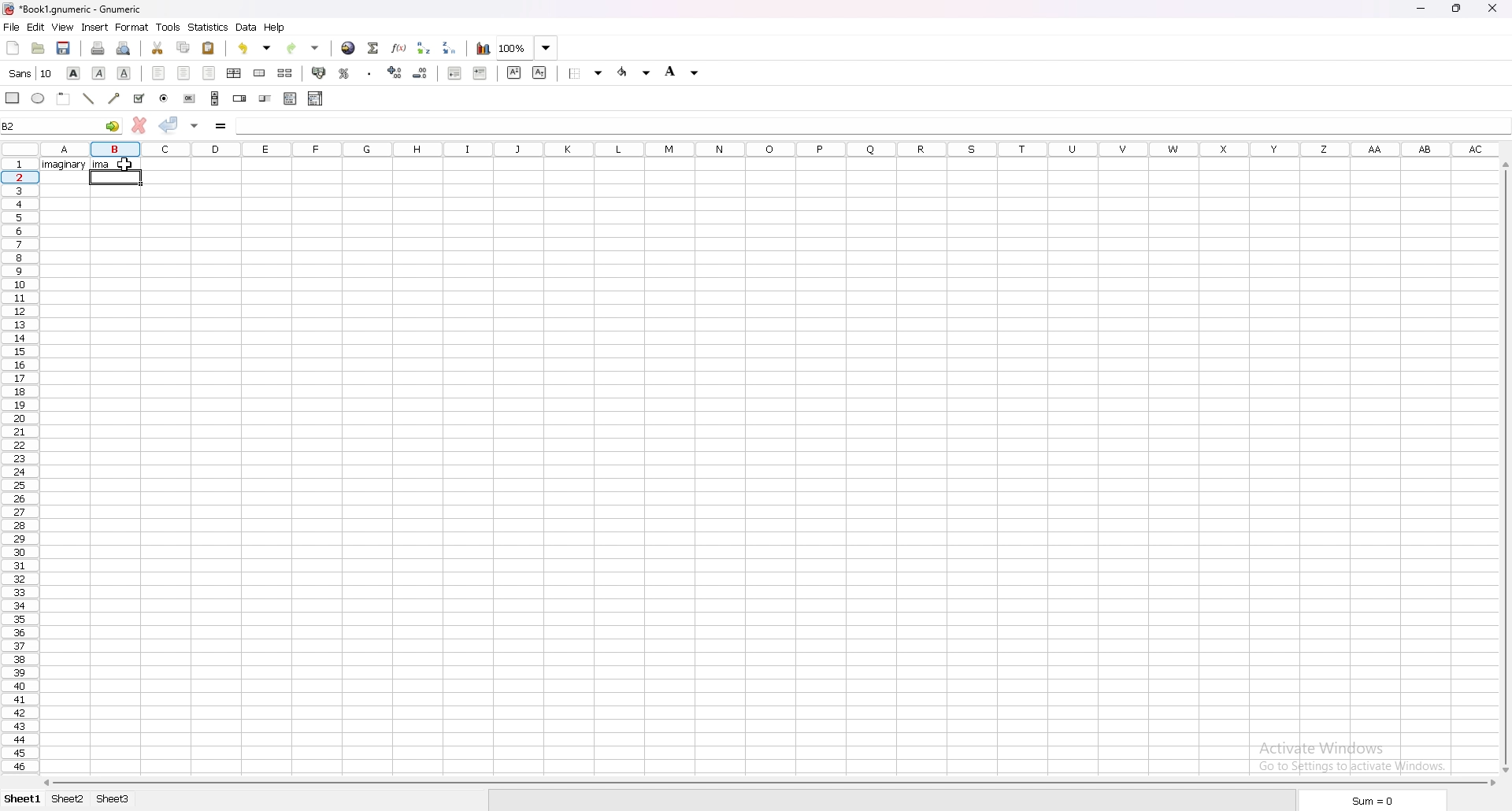 This screenshot has height=811, width=1512. I want to click on sheet, so click(109, 799).